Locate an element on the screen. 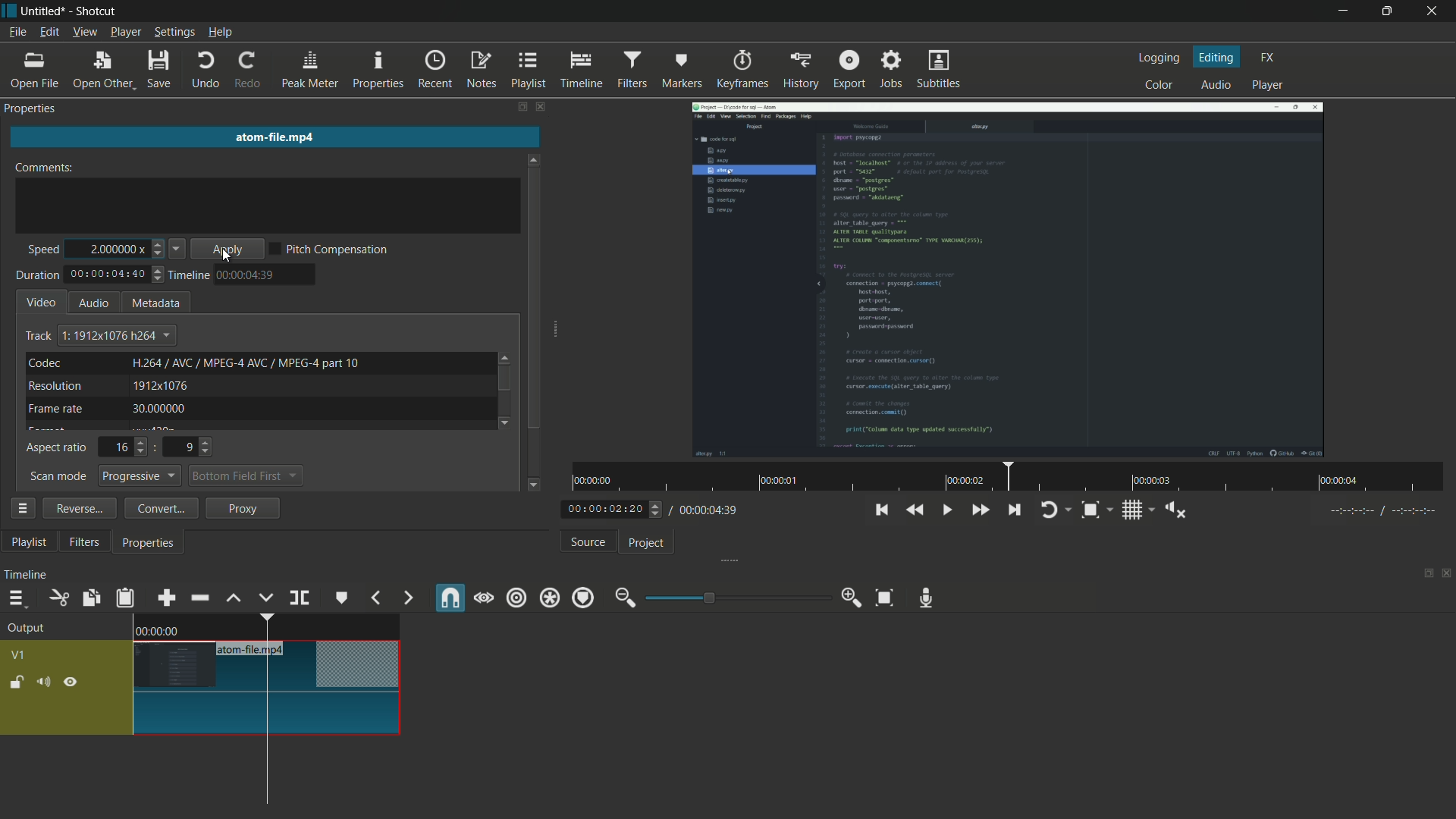 This screenshot has height=819, width=1456. progressive is located at coordinates (141, 475).